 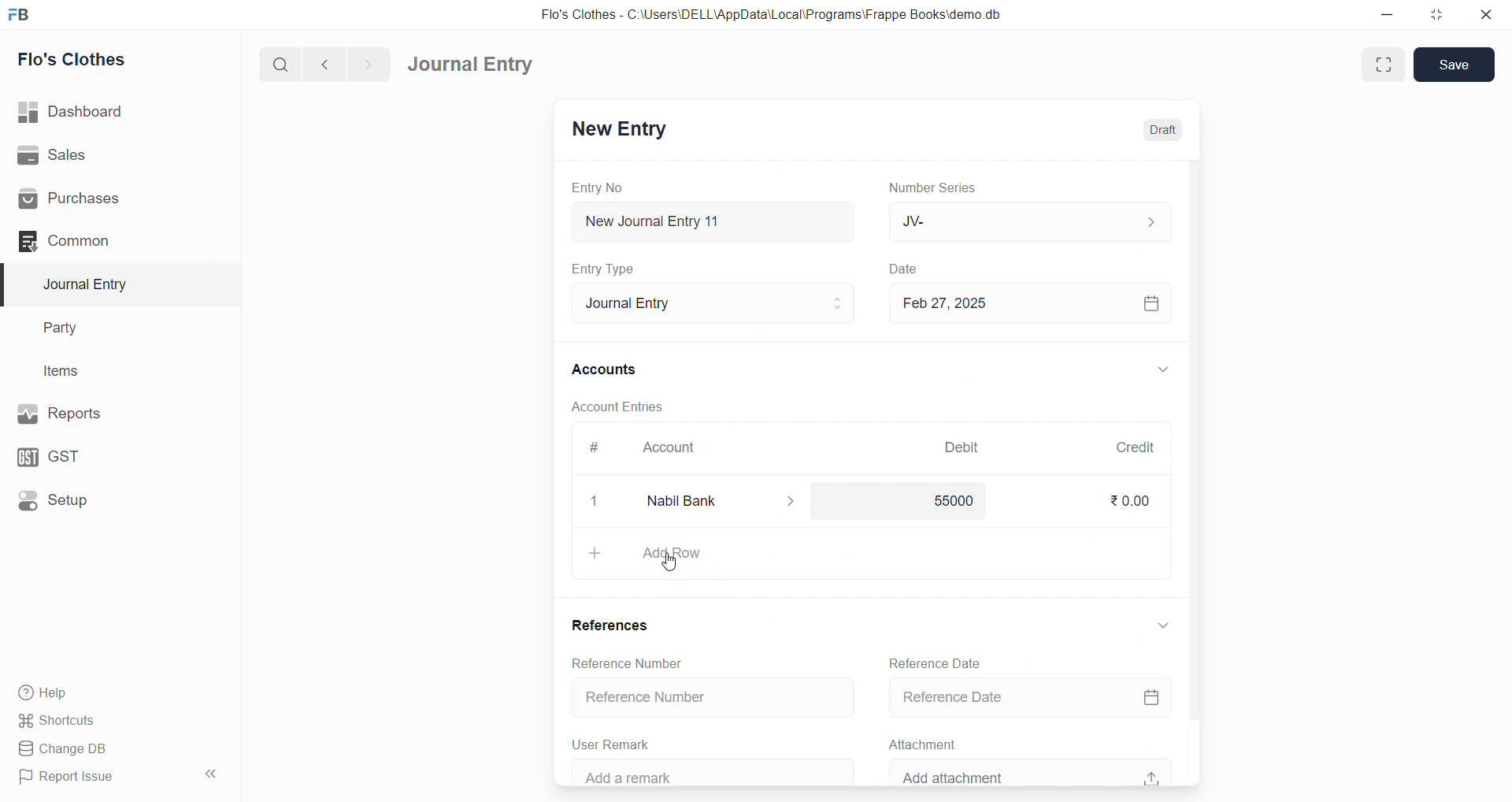 What do you see at coordinates (94, 154) in the screenshot?
I see `Sales` at bounding box center [94, 154].